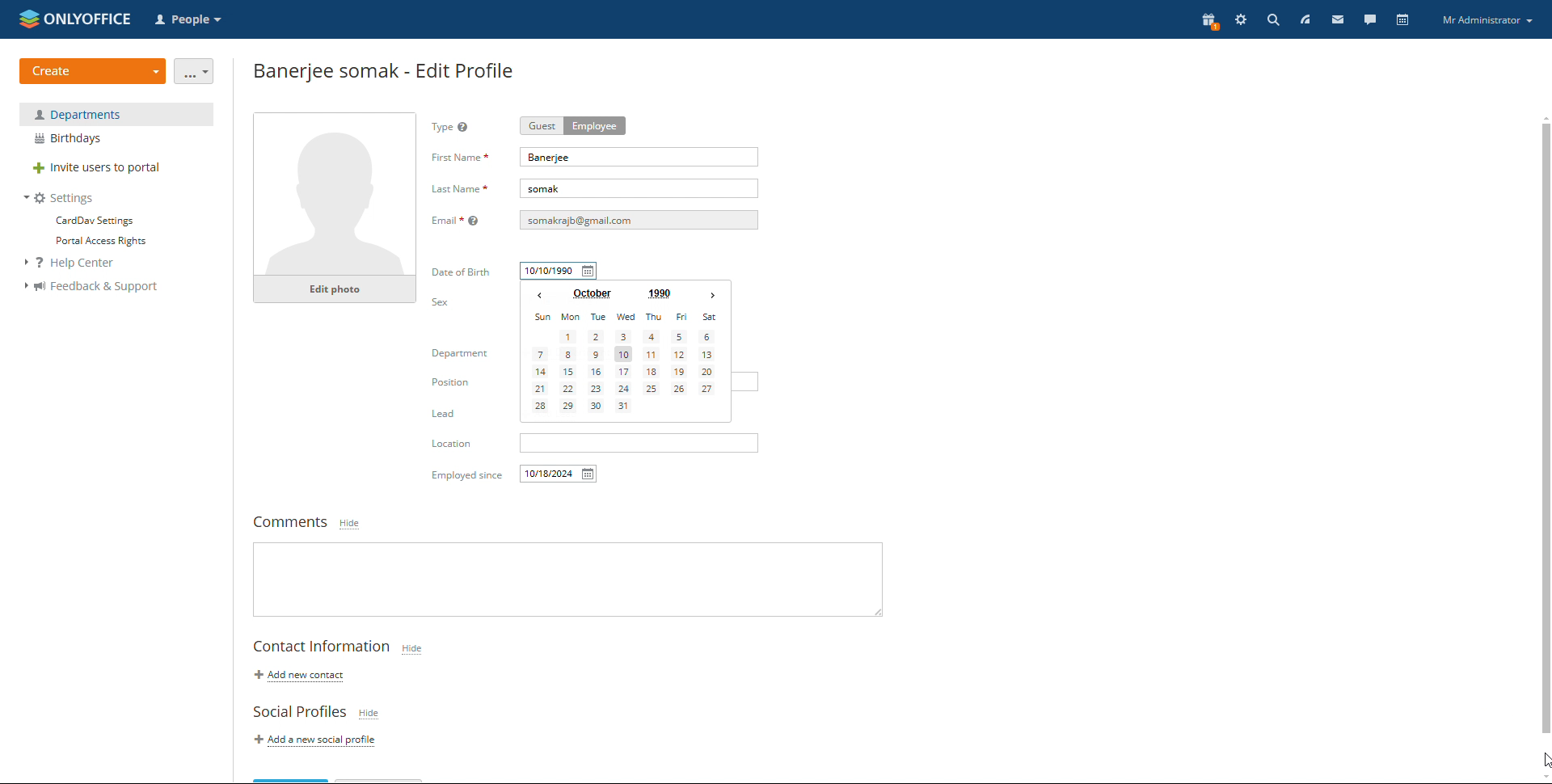 This screenshot has width=1552, height=784. Describe the element at coordinates (93, 221) in the screenshot. I see `carddev settings` at that location.